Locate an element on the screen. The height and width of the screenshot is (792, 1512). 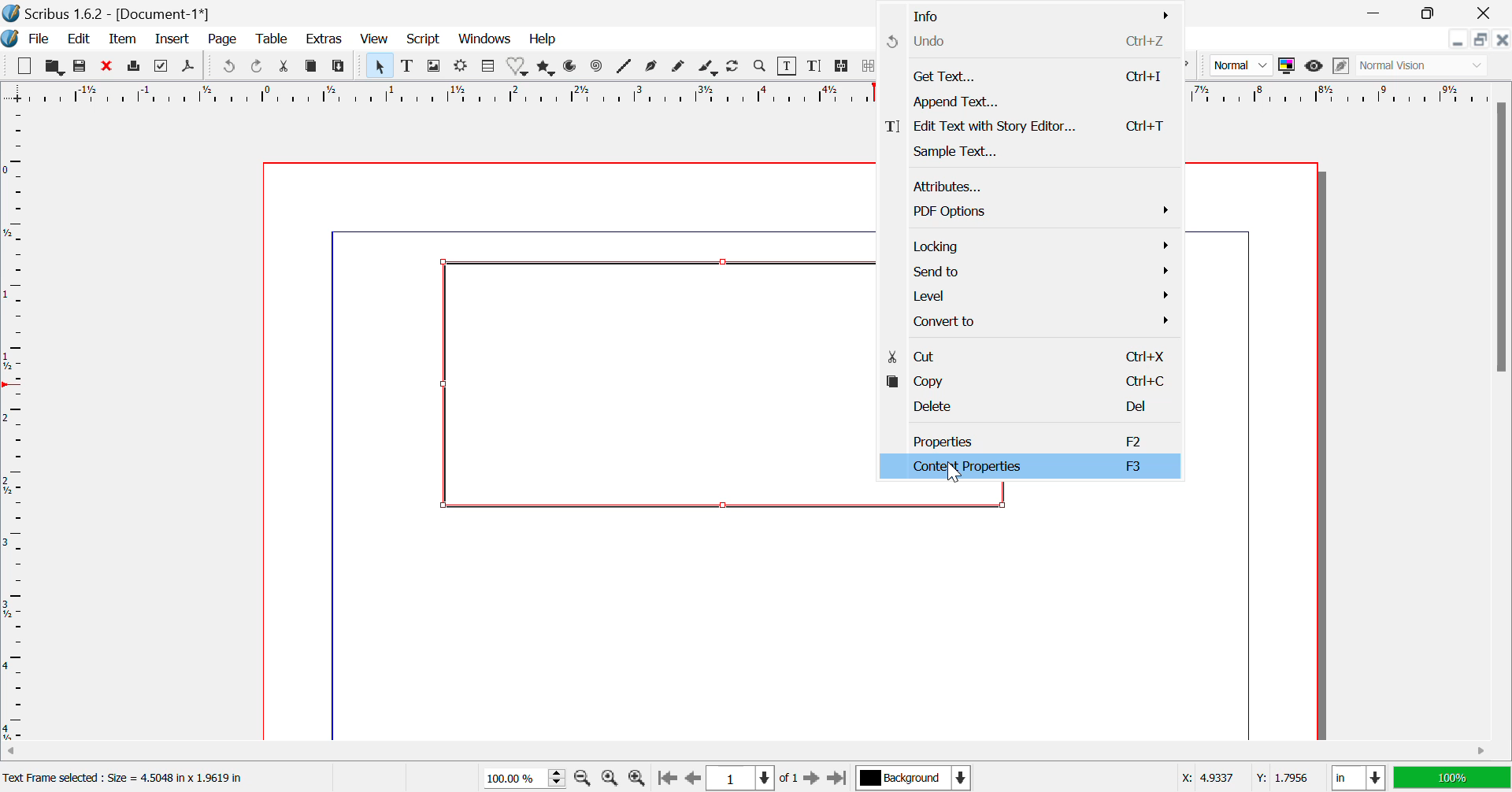
Preflight Verifier is located at coordinates (161, 68).